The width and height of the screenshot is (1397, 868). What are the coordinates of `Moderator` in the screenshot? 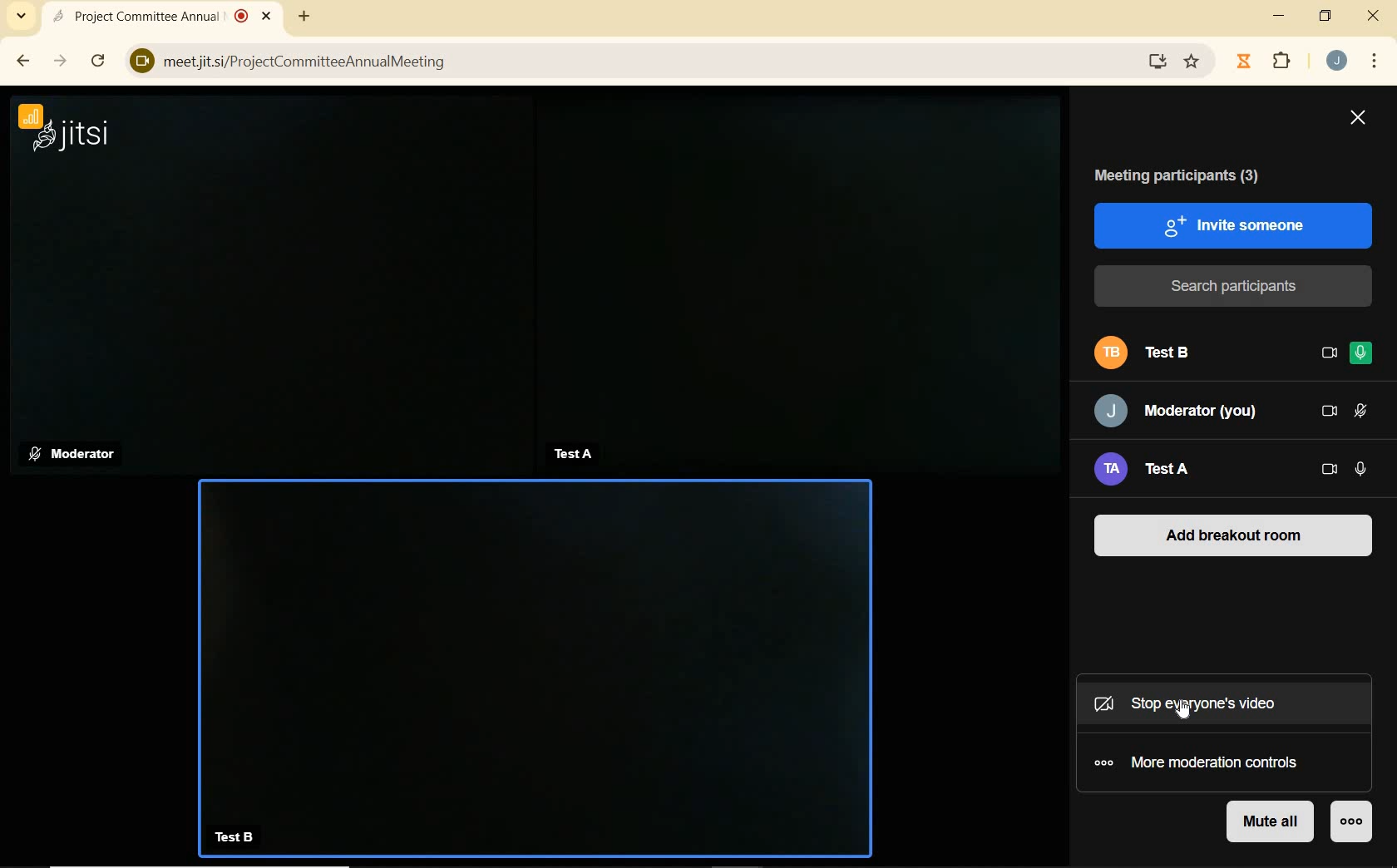 It's located at (72, 455).